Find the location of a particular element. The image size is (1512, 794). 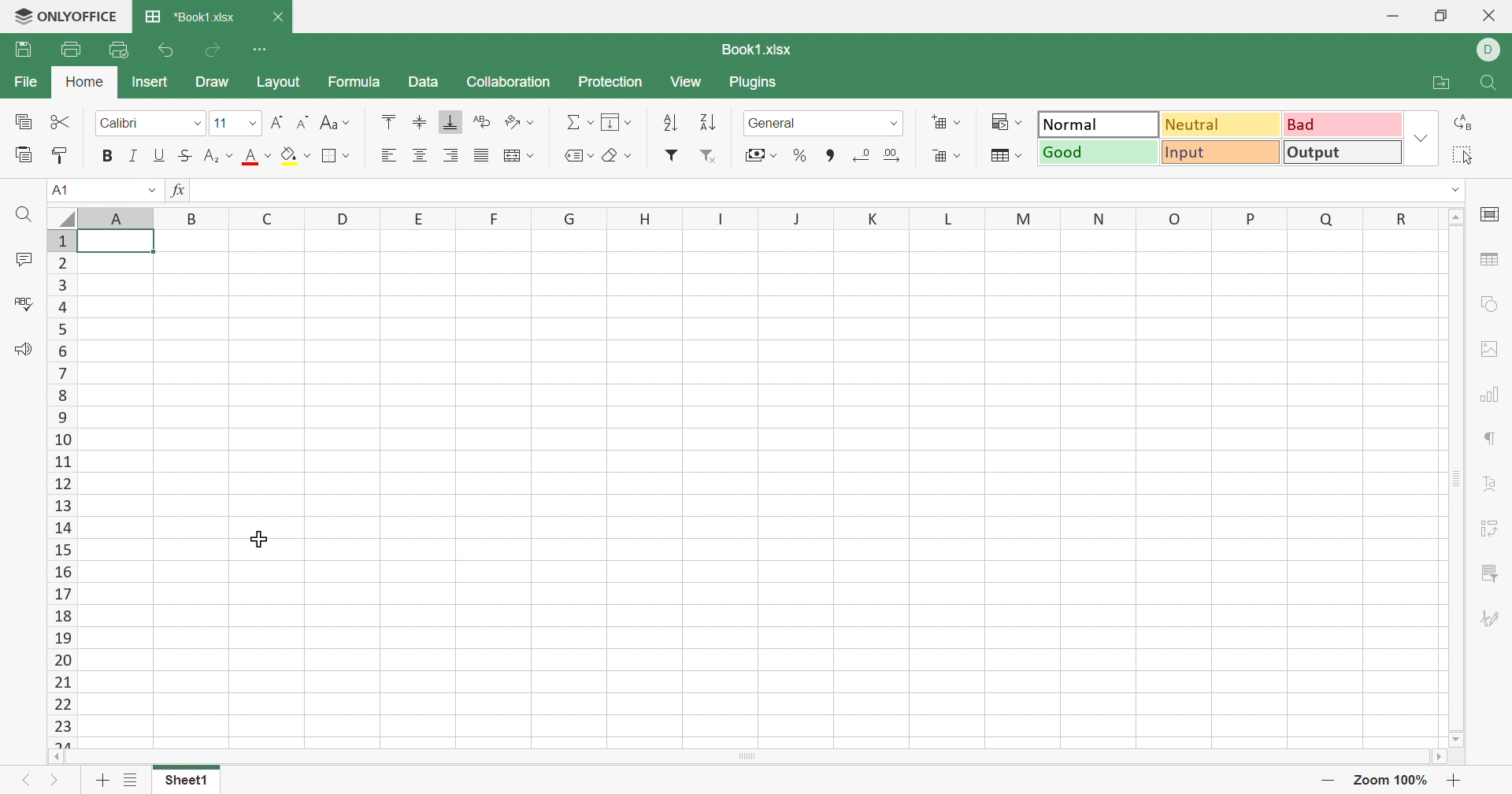

paragraph settings is located at coordinates (1494, 440).